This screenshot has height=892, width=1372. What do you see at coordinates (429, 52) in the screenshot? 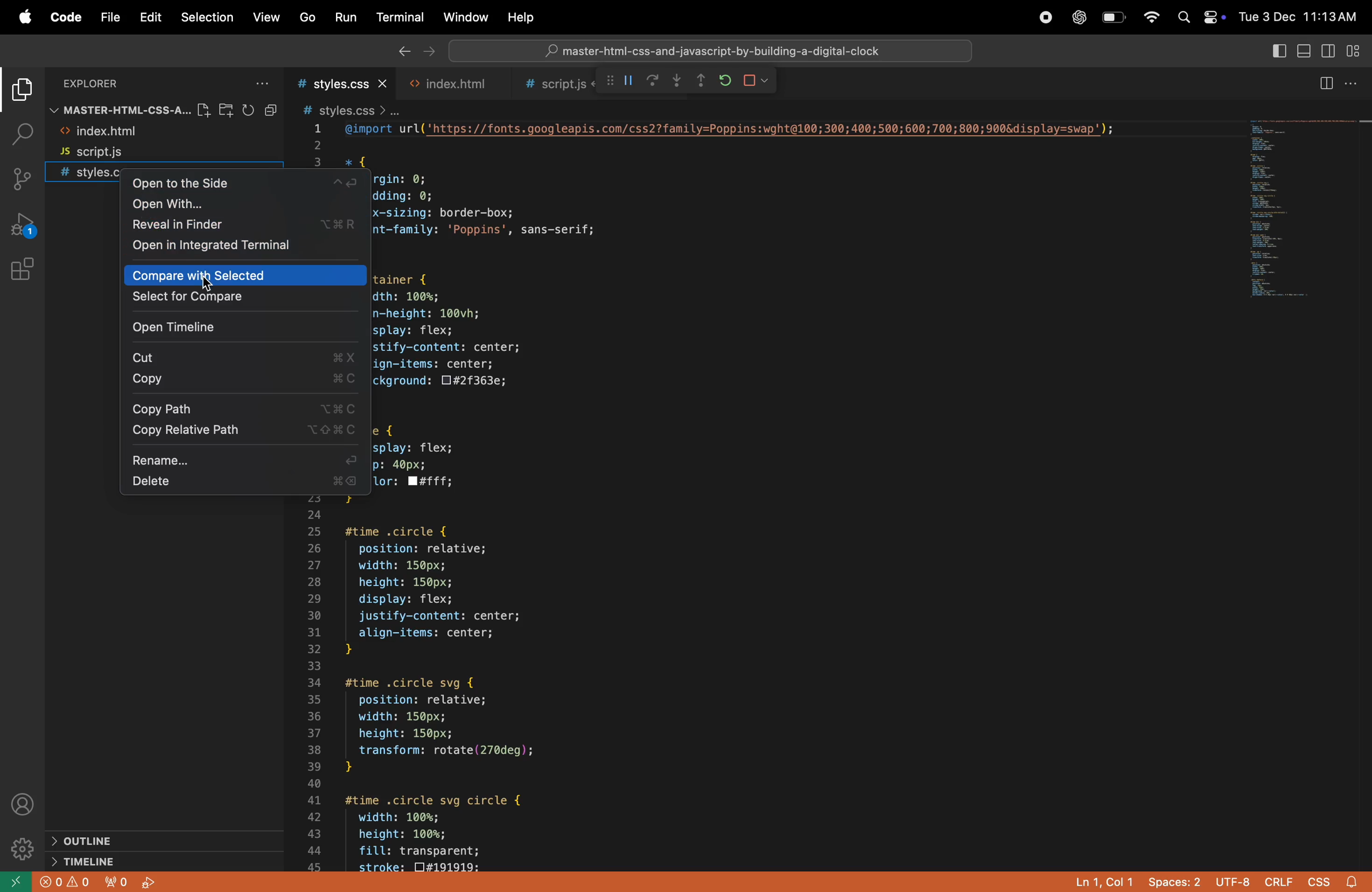
I see `next` at bounding box center [429, 52].